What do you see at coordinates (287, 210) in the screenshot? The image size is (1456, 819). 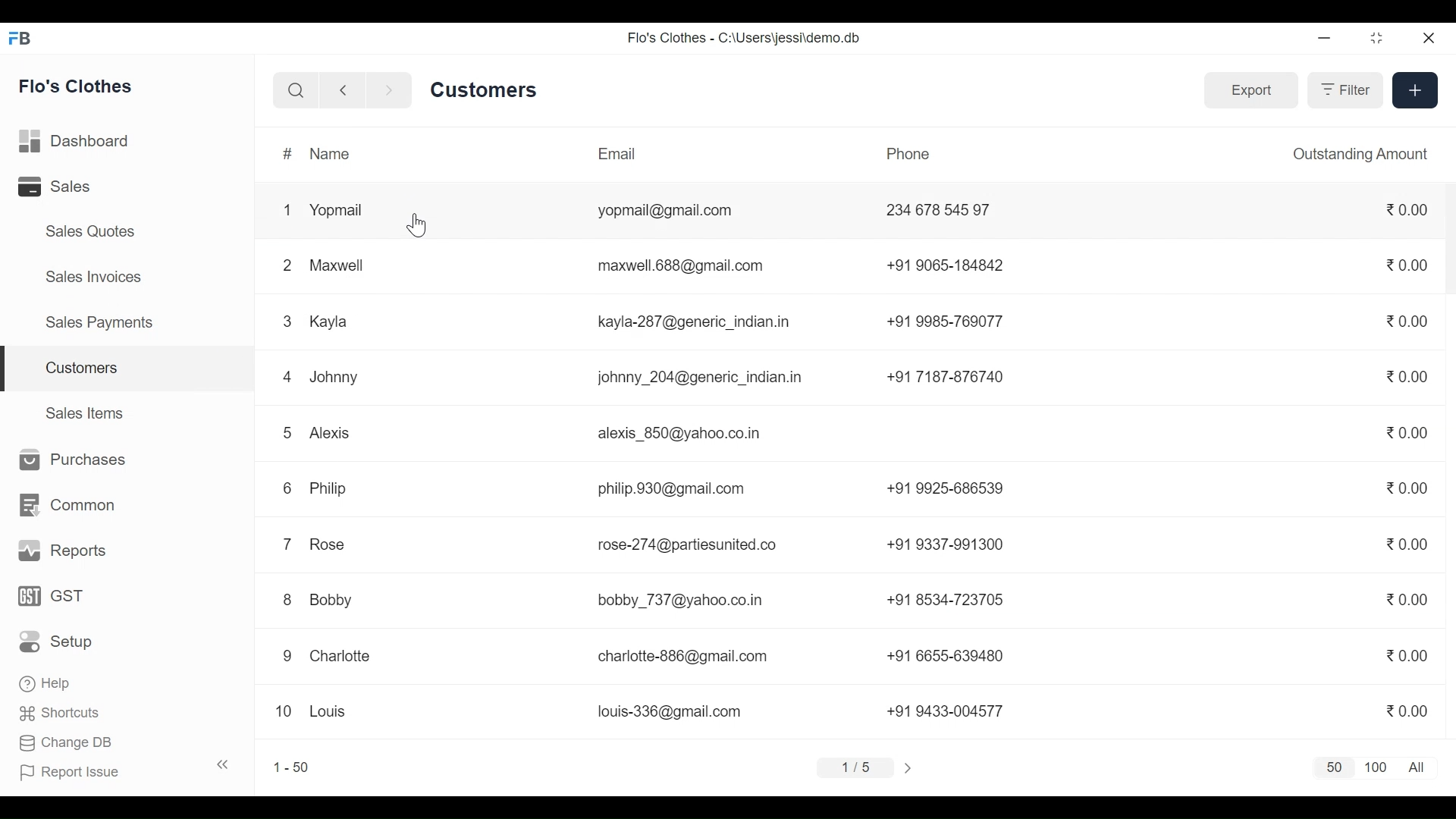 I see `1` at bounding box center [287, 210].